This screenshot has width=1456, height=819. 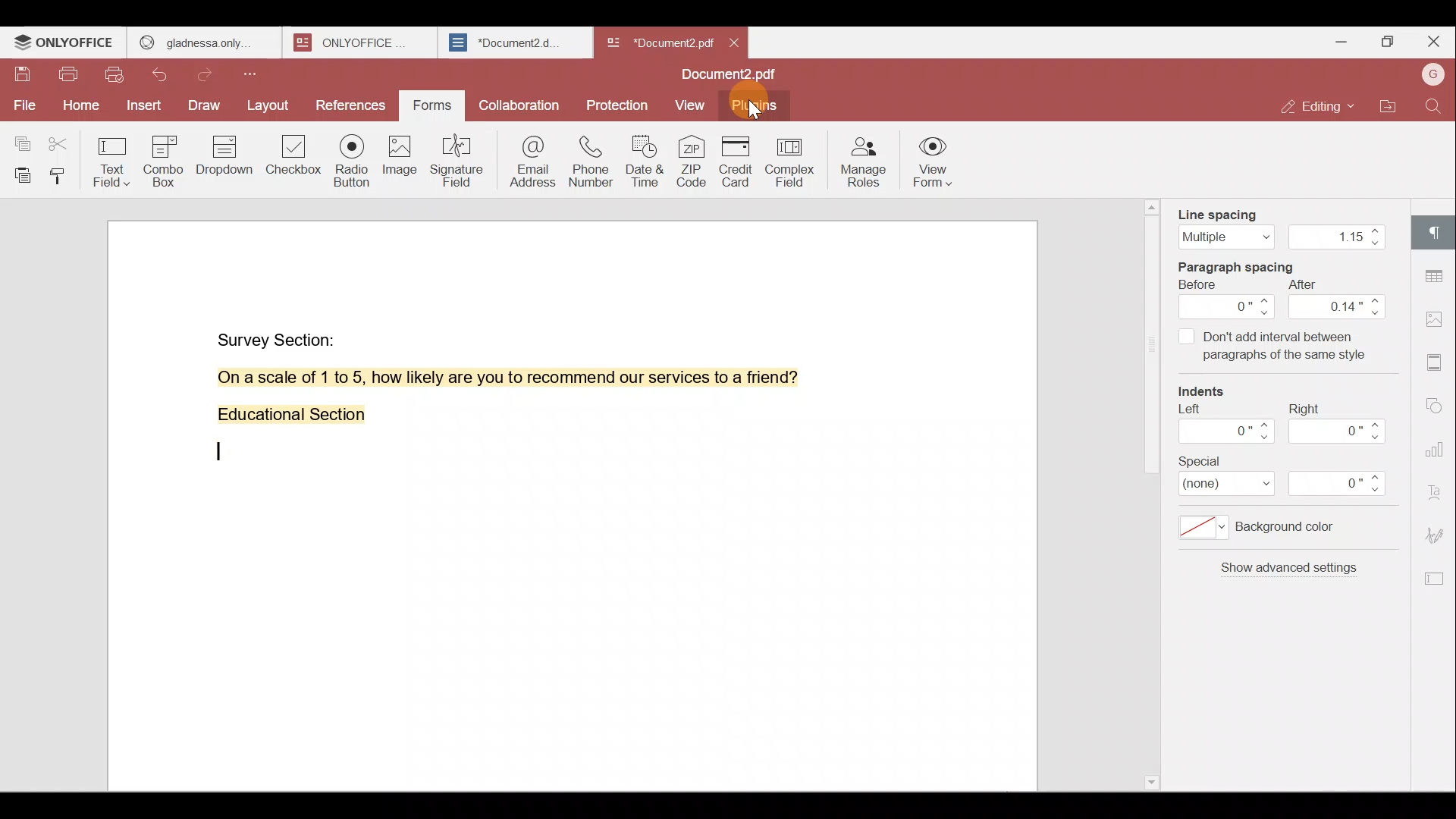 I want to click on Don't add interval between
paragraphs of the same style, so click(x=1272, y=349).